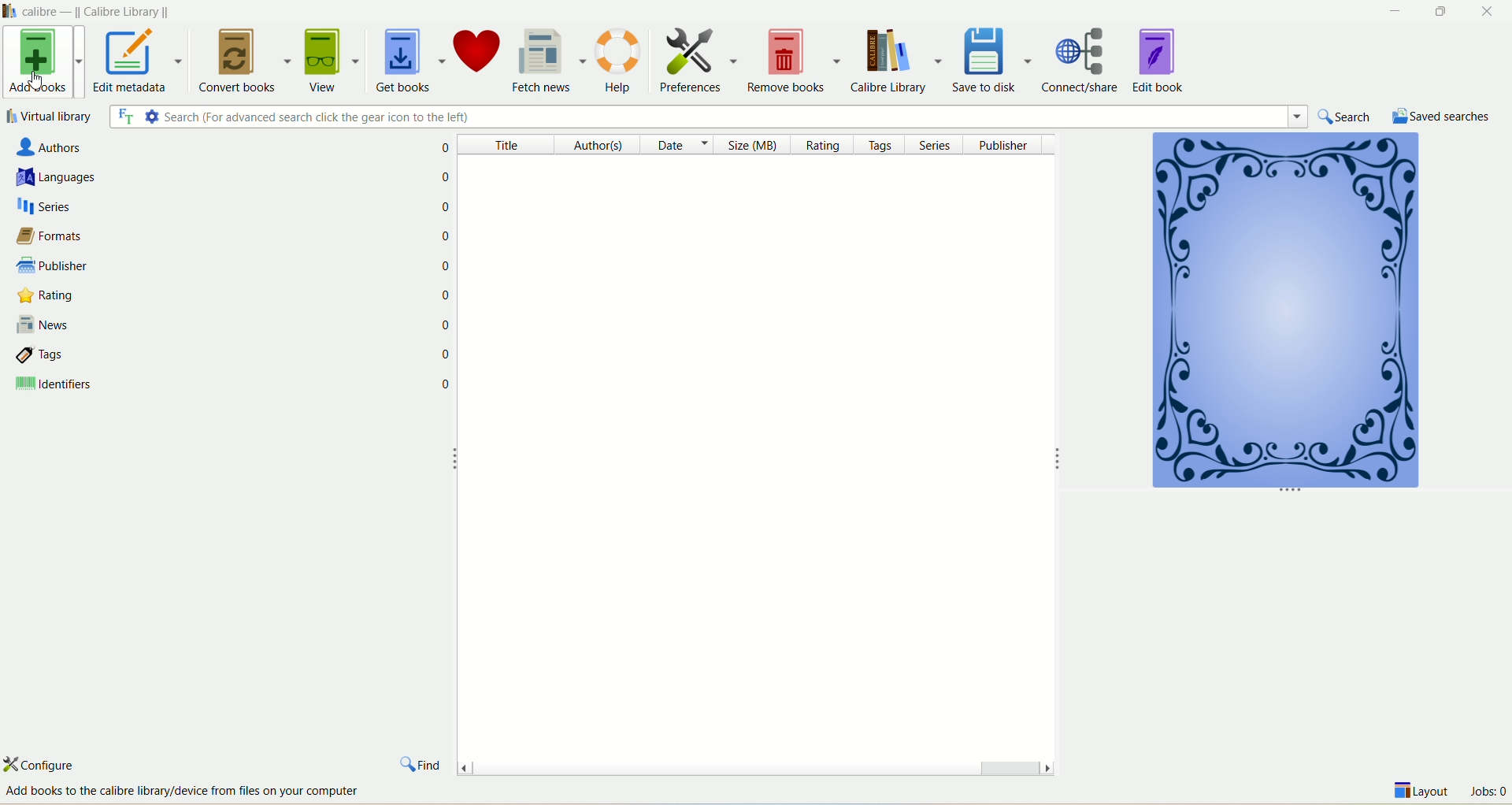 This screenshot has height=805, width=1512. What do you see at coordinates (900, 61) in the screenshot?
I see `calibre library` at bounding box center [900, 61].